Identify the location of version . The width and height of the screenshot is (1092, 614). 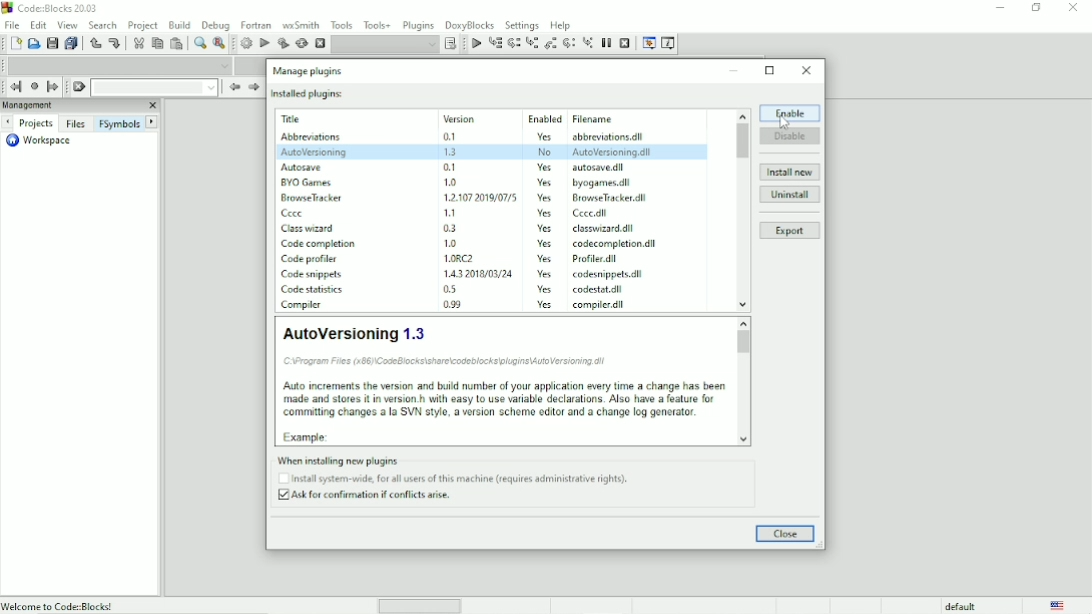
(472, 272).